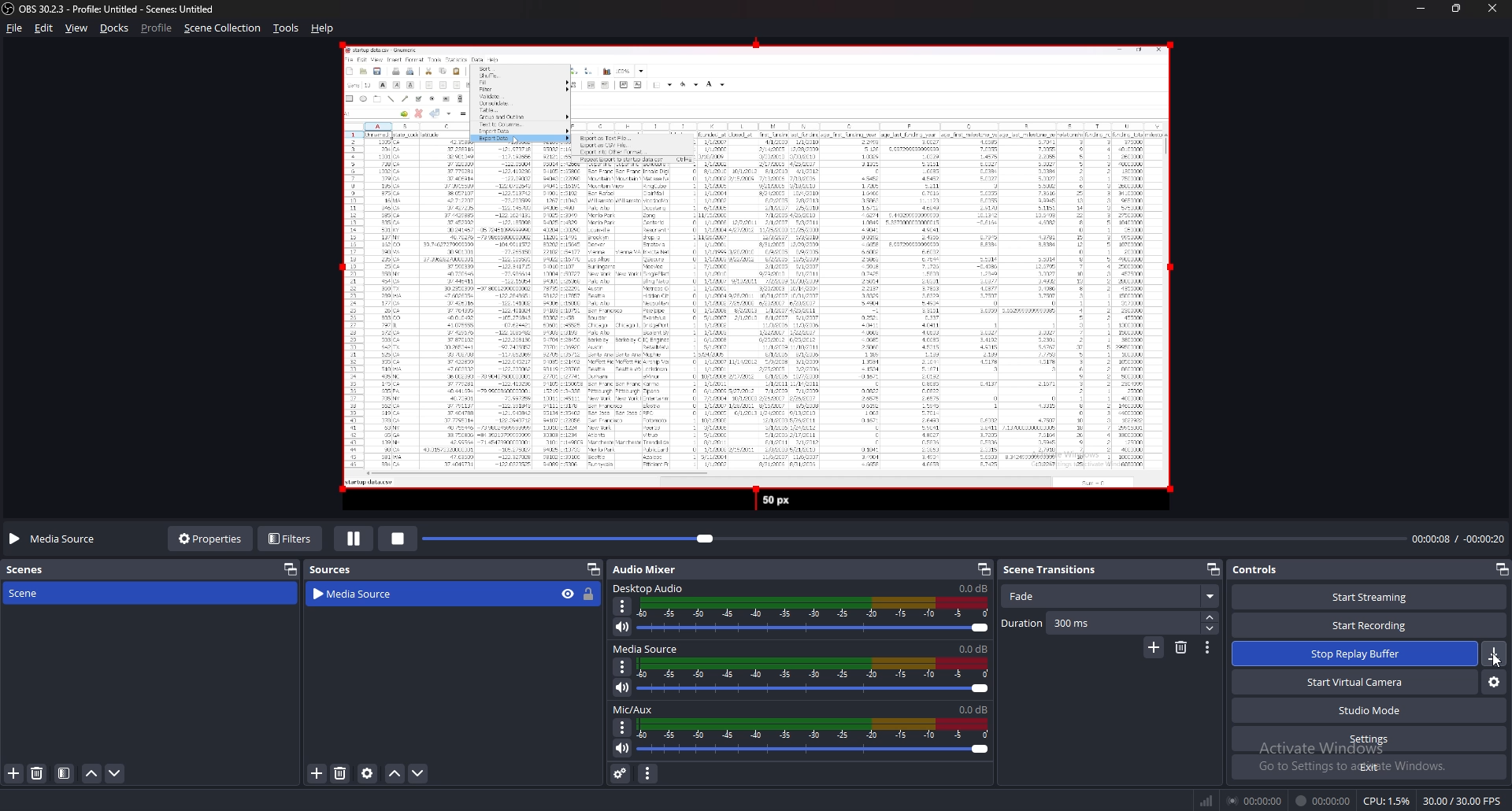 The width and height of the screenshot is (1512, 811). I want to click on minimize, so click(1420, 8).